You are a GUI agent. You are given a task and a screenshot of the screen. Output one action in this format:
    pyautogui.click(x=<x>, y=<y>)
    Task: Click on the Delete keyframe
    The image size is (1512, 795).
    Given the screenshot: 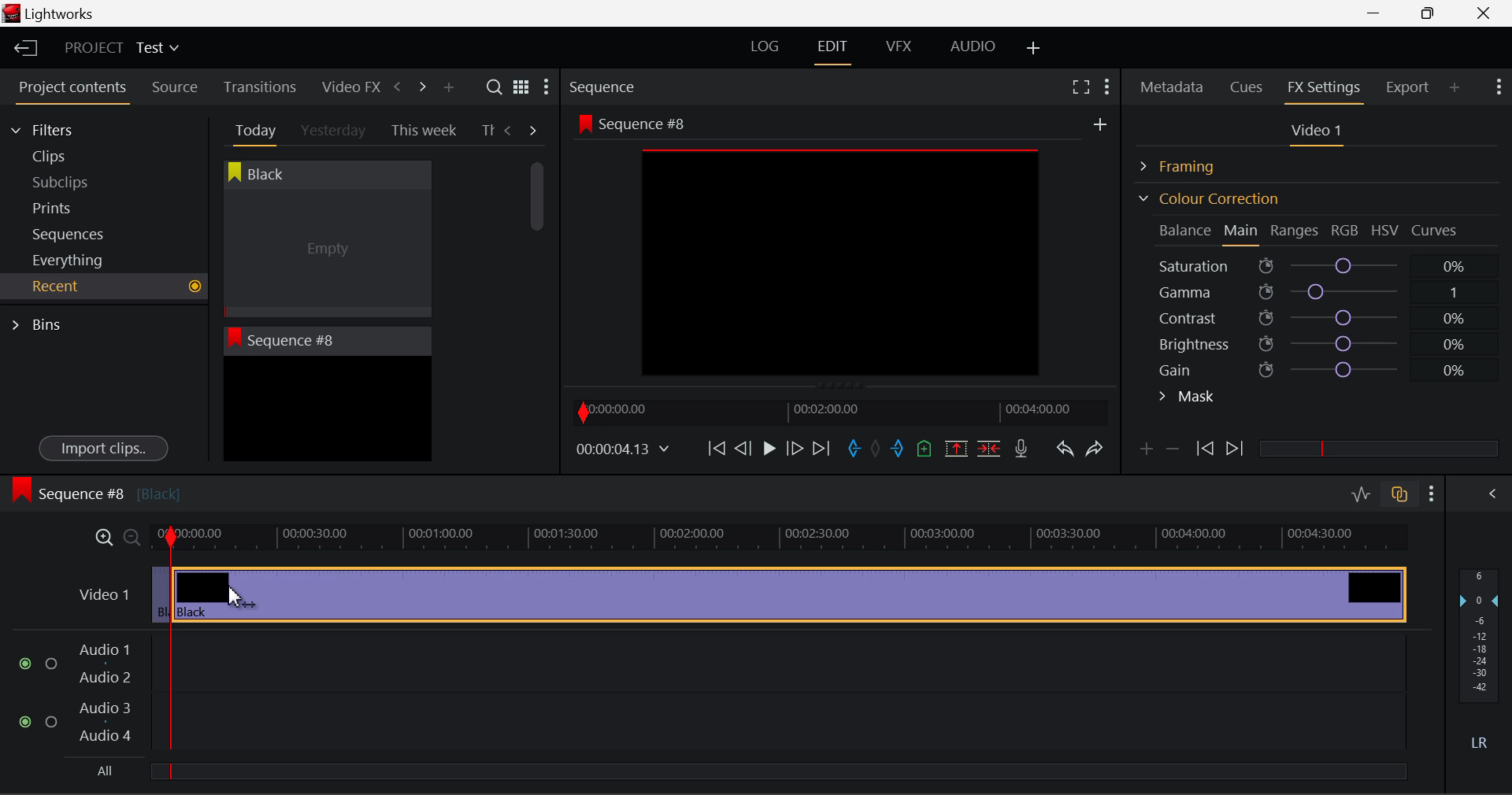 What is the action you would take?
    pyautogui.click(x=1173, y=452)
    